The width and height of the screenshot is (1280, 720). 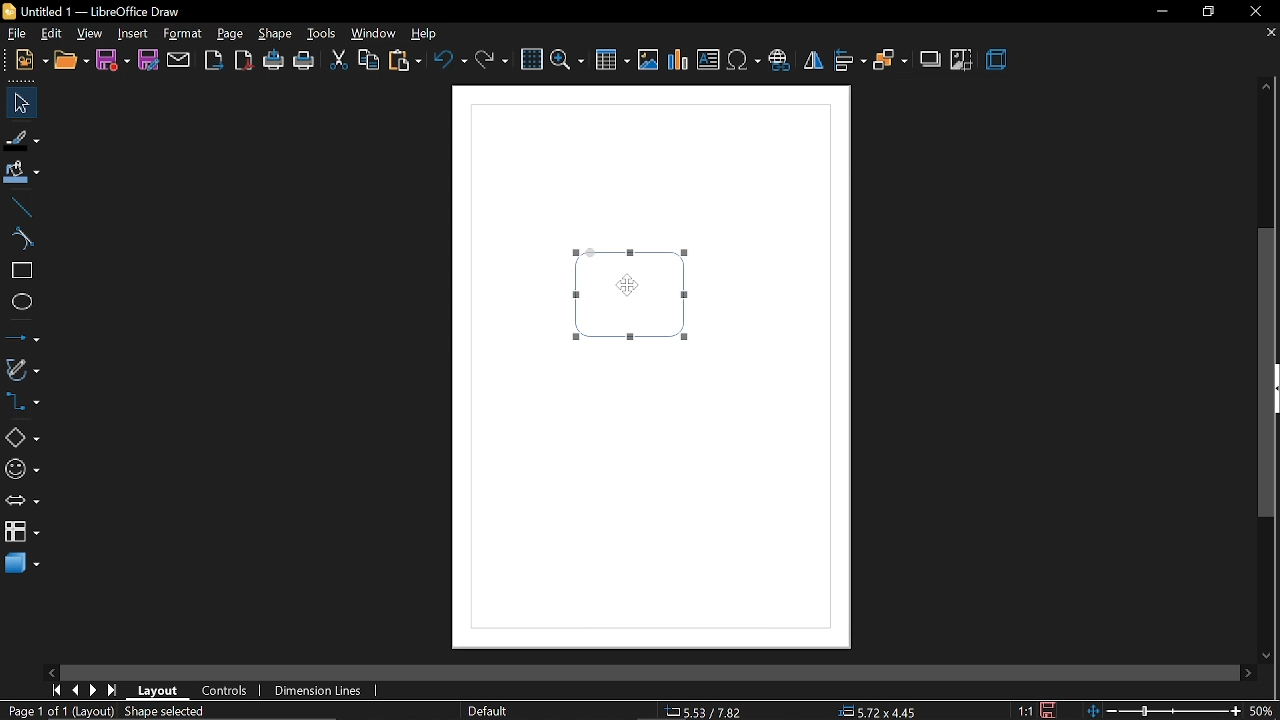 I want to click on position, so click(x=882, y=712).